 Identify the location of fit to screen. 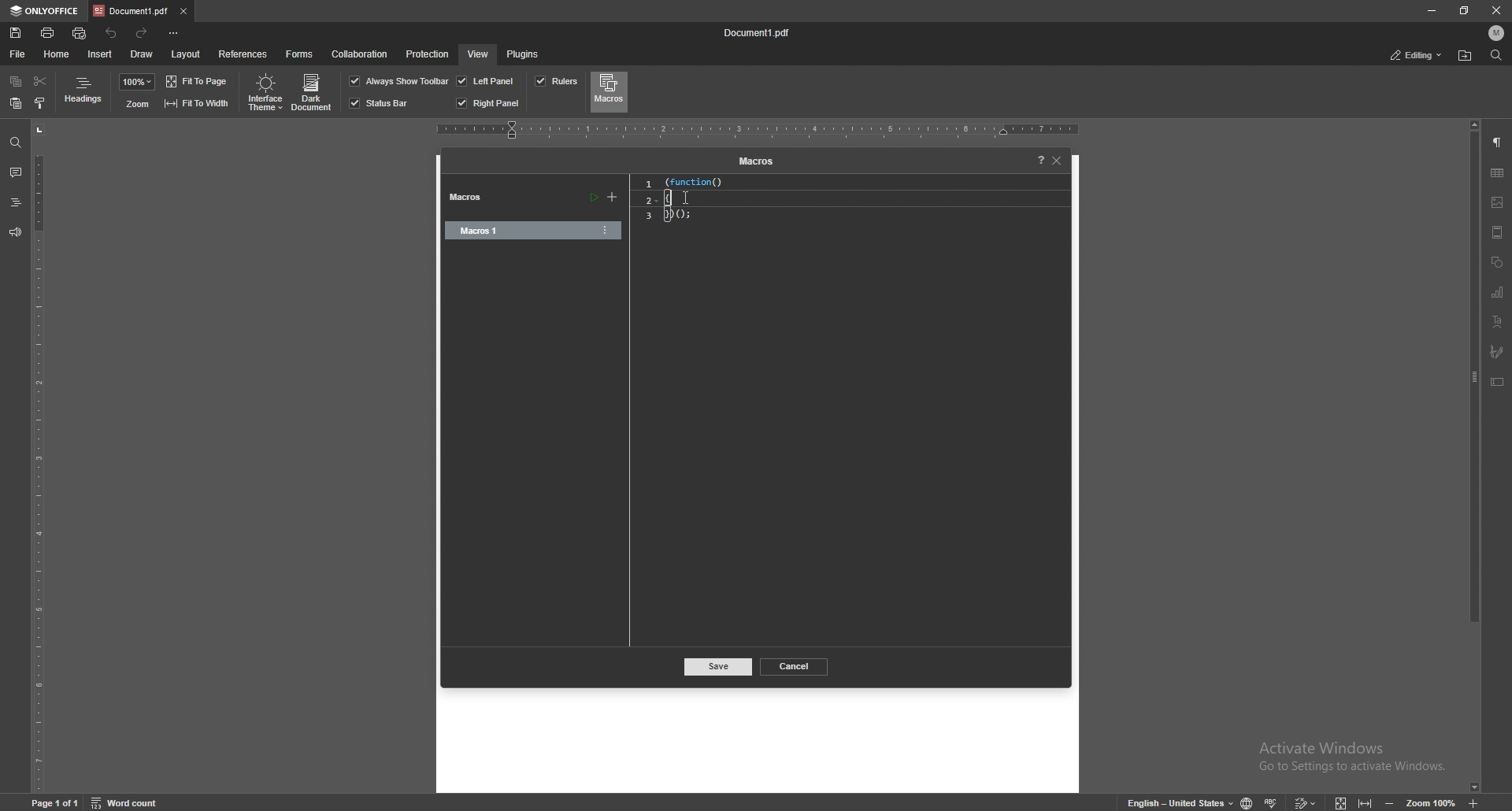
(1342, 802).